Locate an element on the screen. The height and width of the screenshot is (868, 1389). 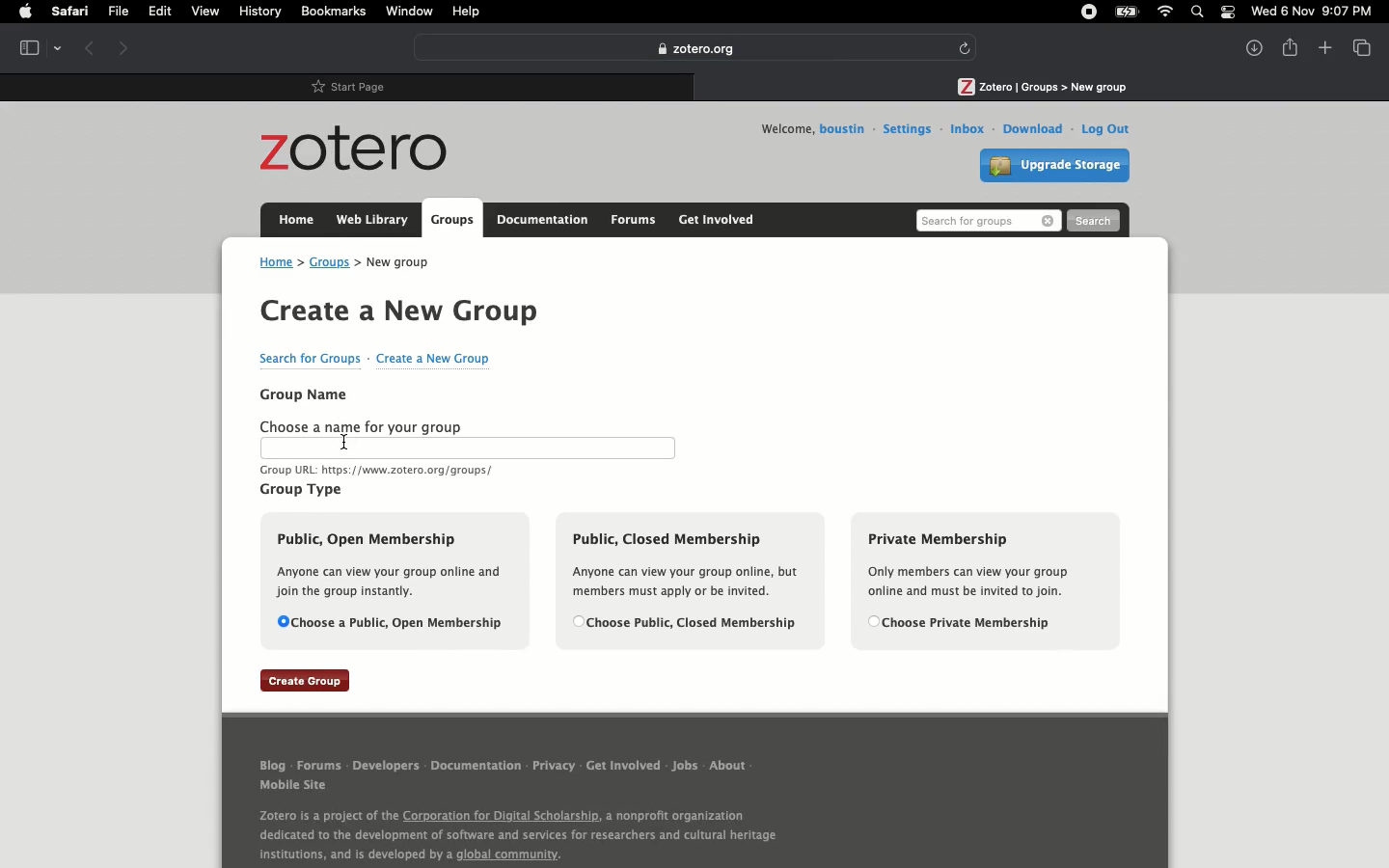
Safari is located at coordinates (72, 12).